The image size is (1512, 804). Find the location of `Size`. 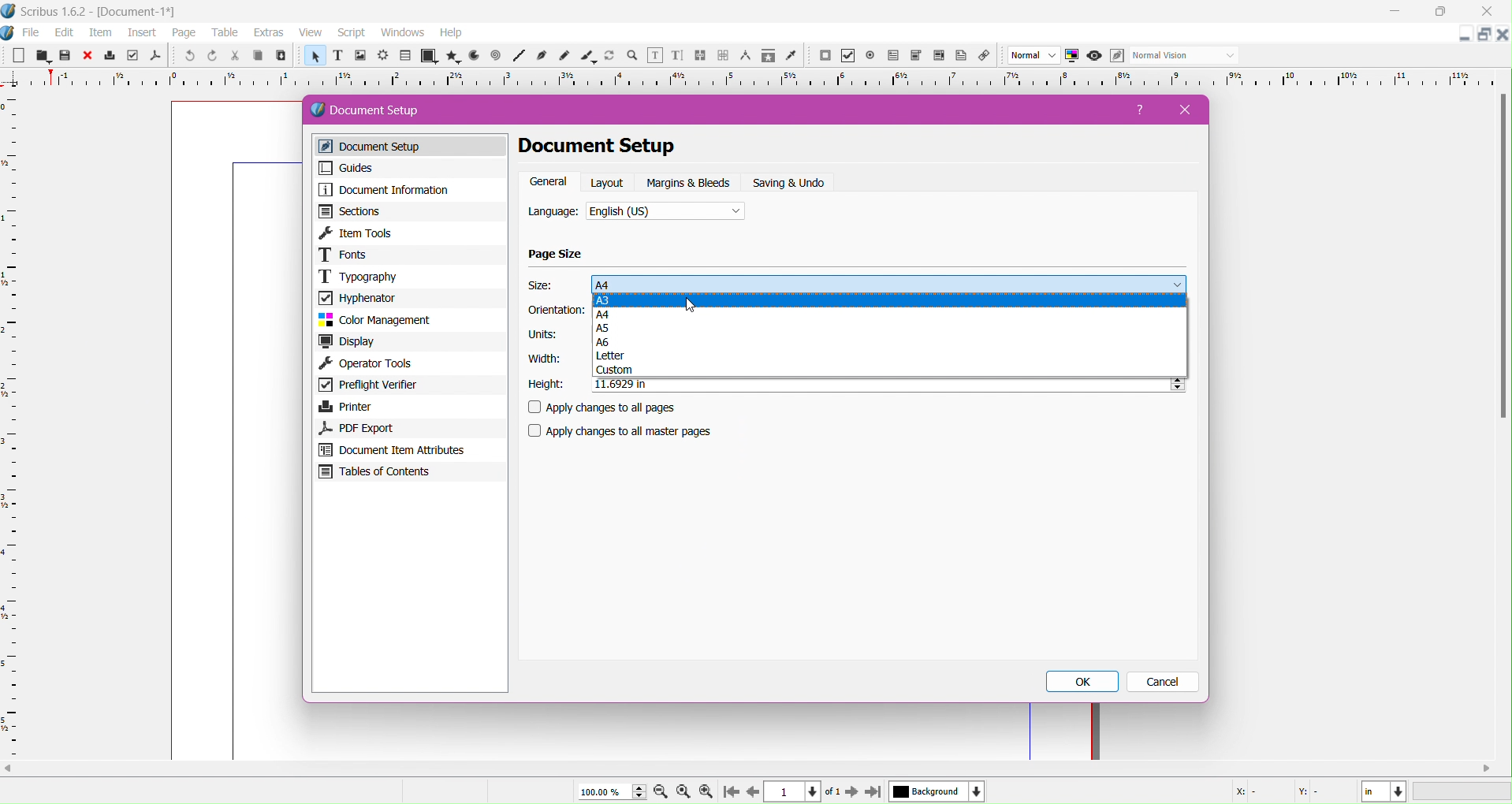

Size is located at coordinates (543, 285).